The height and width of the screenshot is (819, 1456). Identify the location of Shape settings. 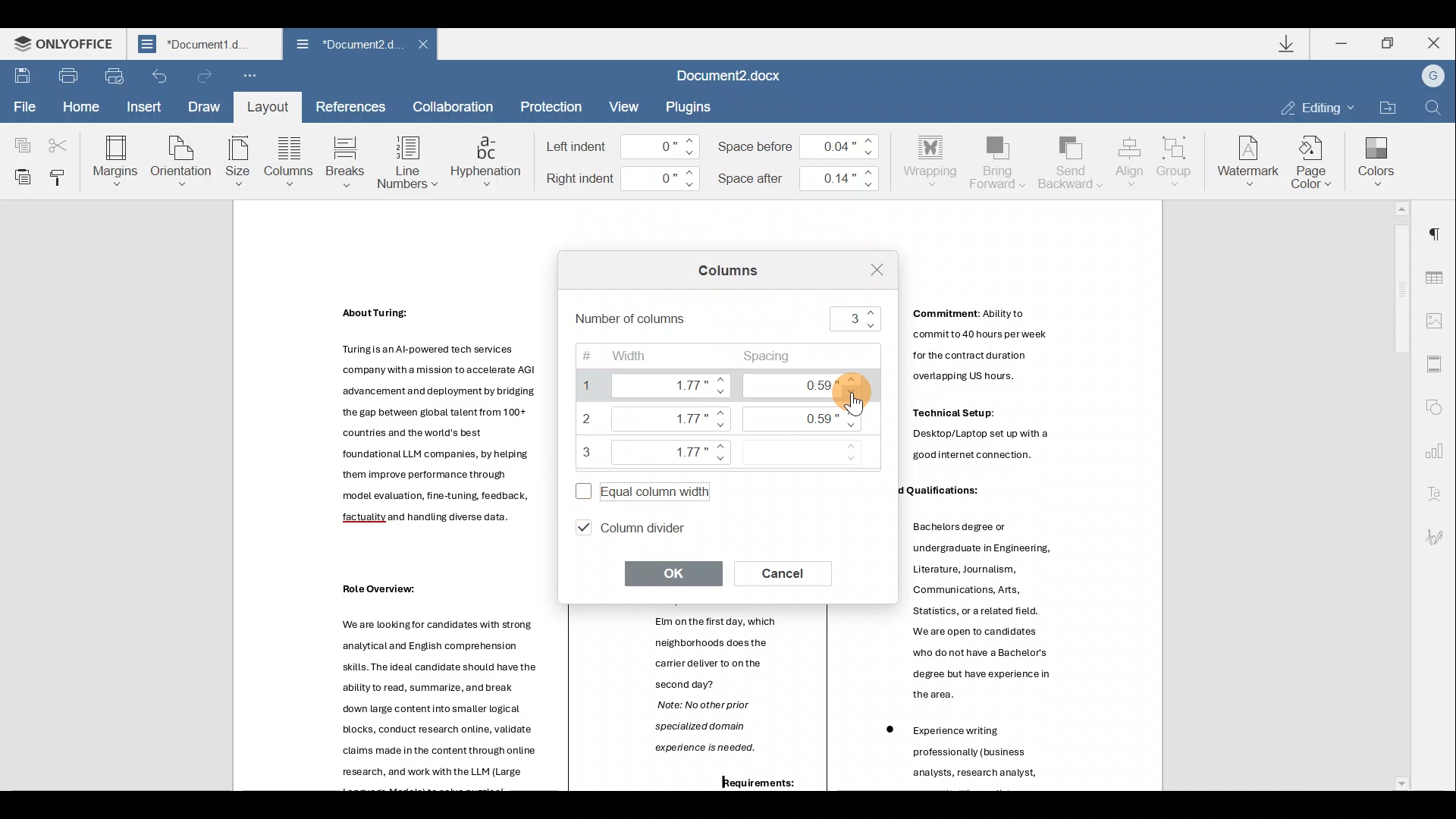
(1439, 409).